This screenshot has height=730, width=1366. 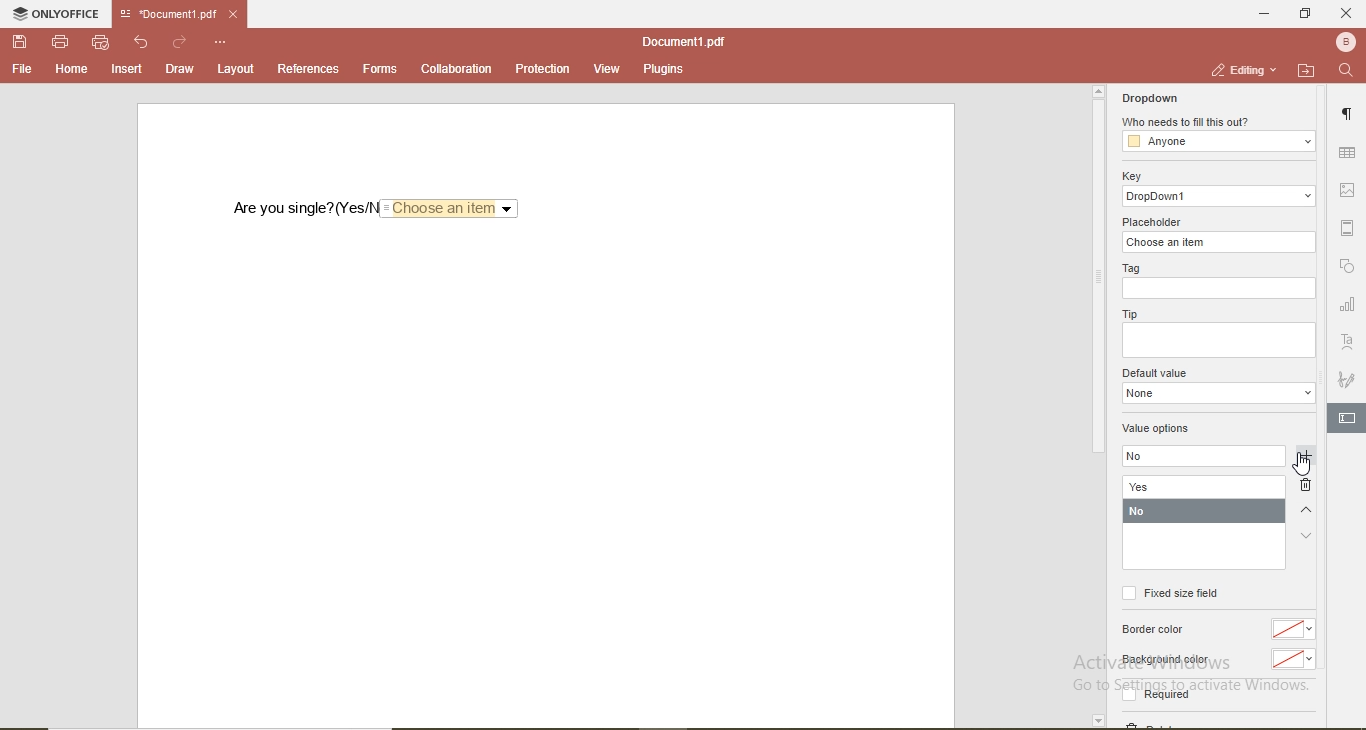 What do you see at coordinates (221, 43) in the screenshot?
I see `options` at bounding box center [221, 43].